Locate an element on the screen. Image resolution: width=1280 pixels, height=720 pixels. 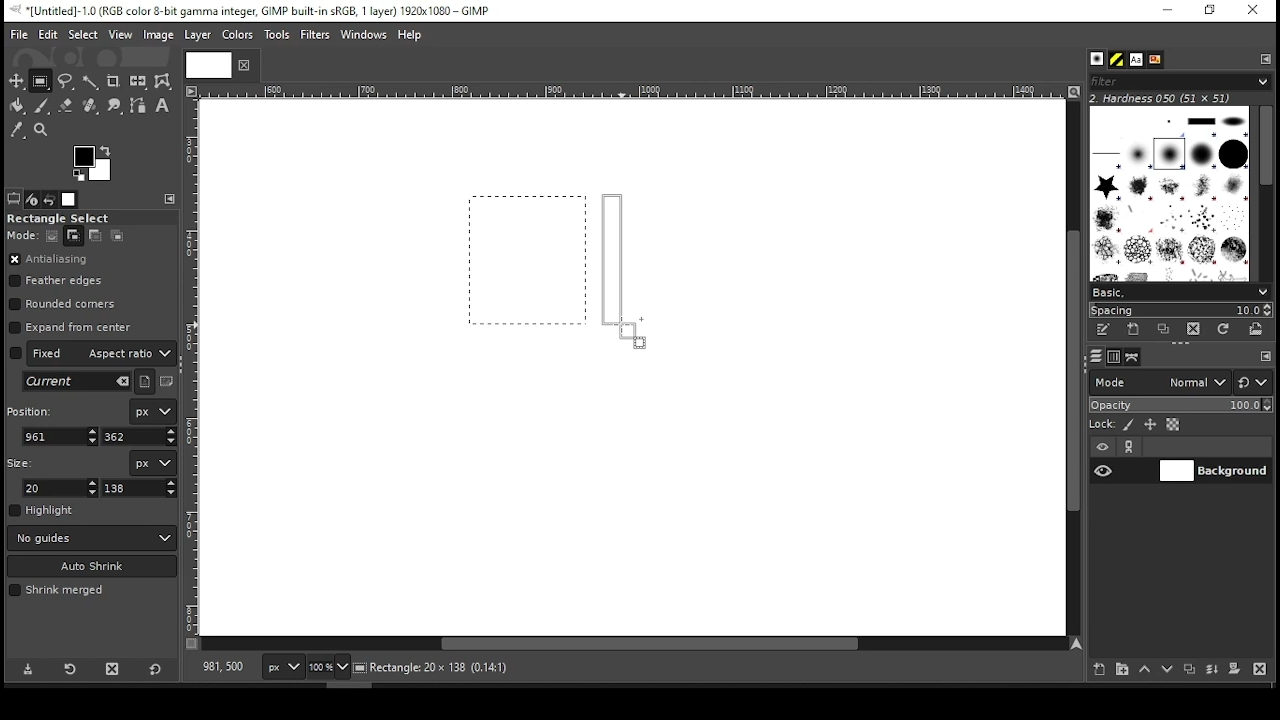
replace current selection is located at coordinates (53, 236).